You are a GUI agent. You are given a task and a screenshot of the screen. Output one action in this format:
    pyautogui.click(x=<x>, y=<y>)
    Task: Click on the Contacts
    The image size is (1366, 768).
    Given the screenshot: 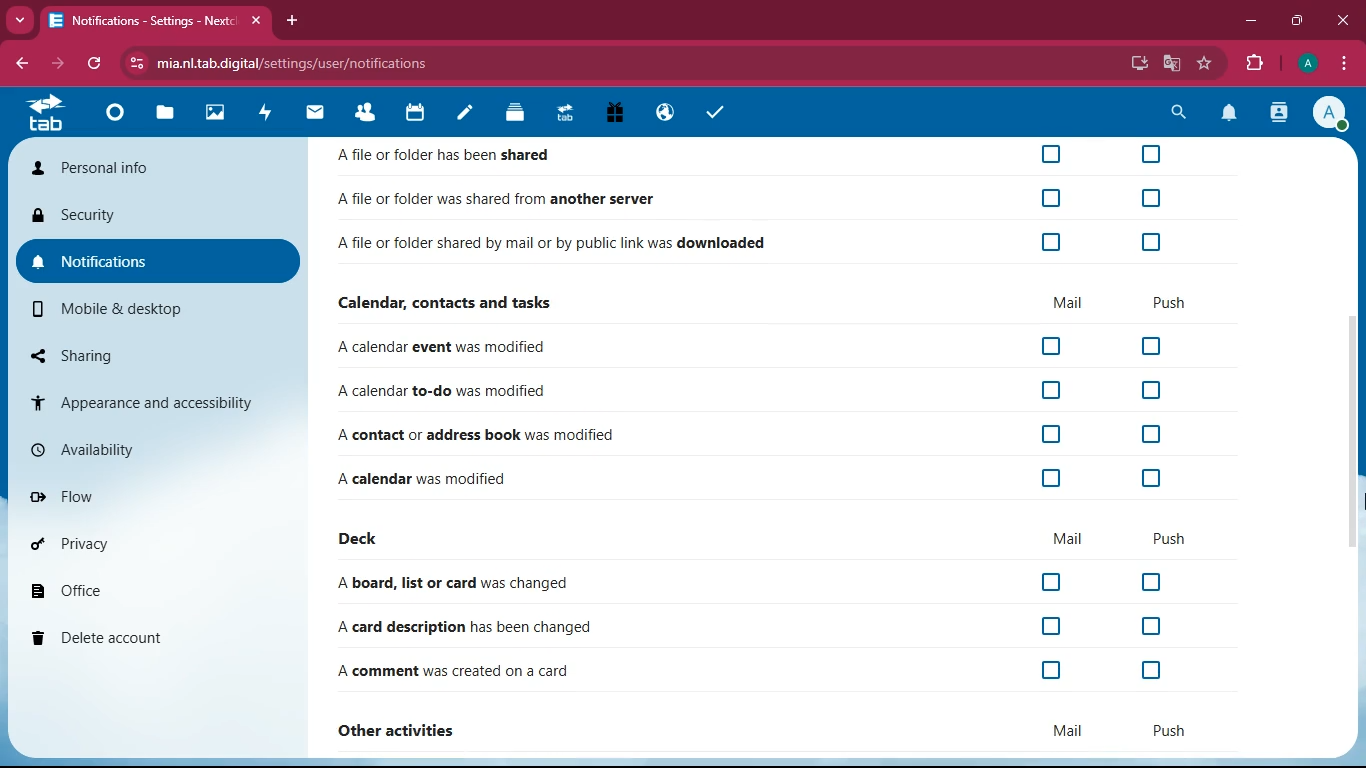 What is the action you would take?
    pyautogui.click(x=366, y=114)
    